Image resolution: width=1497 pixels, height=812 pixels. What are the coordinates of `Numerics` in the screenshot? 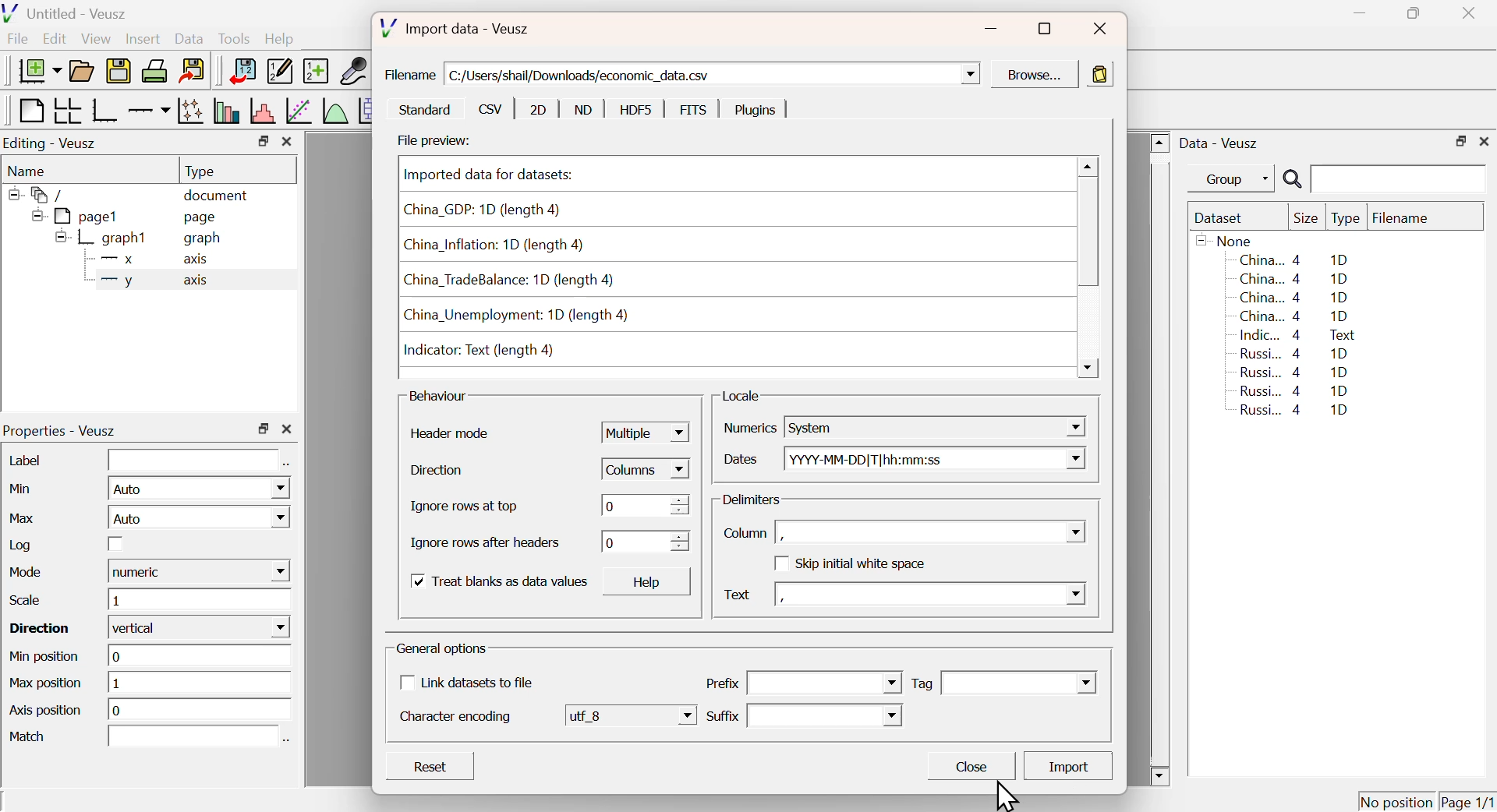 It's located at (748, 427).